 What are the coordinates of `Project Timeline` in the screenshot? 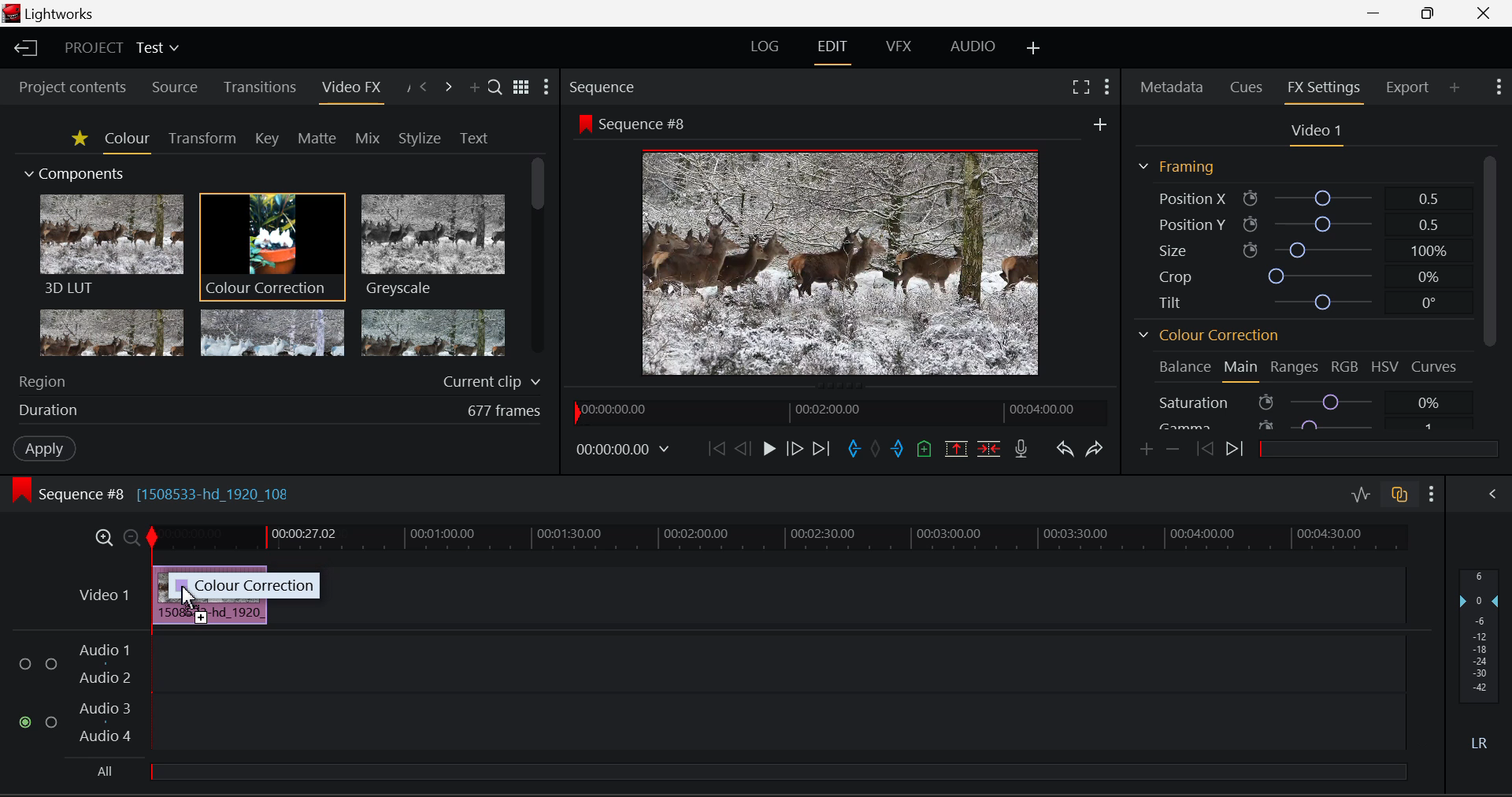 It's located at (775, 539).